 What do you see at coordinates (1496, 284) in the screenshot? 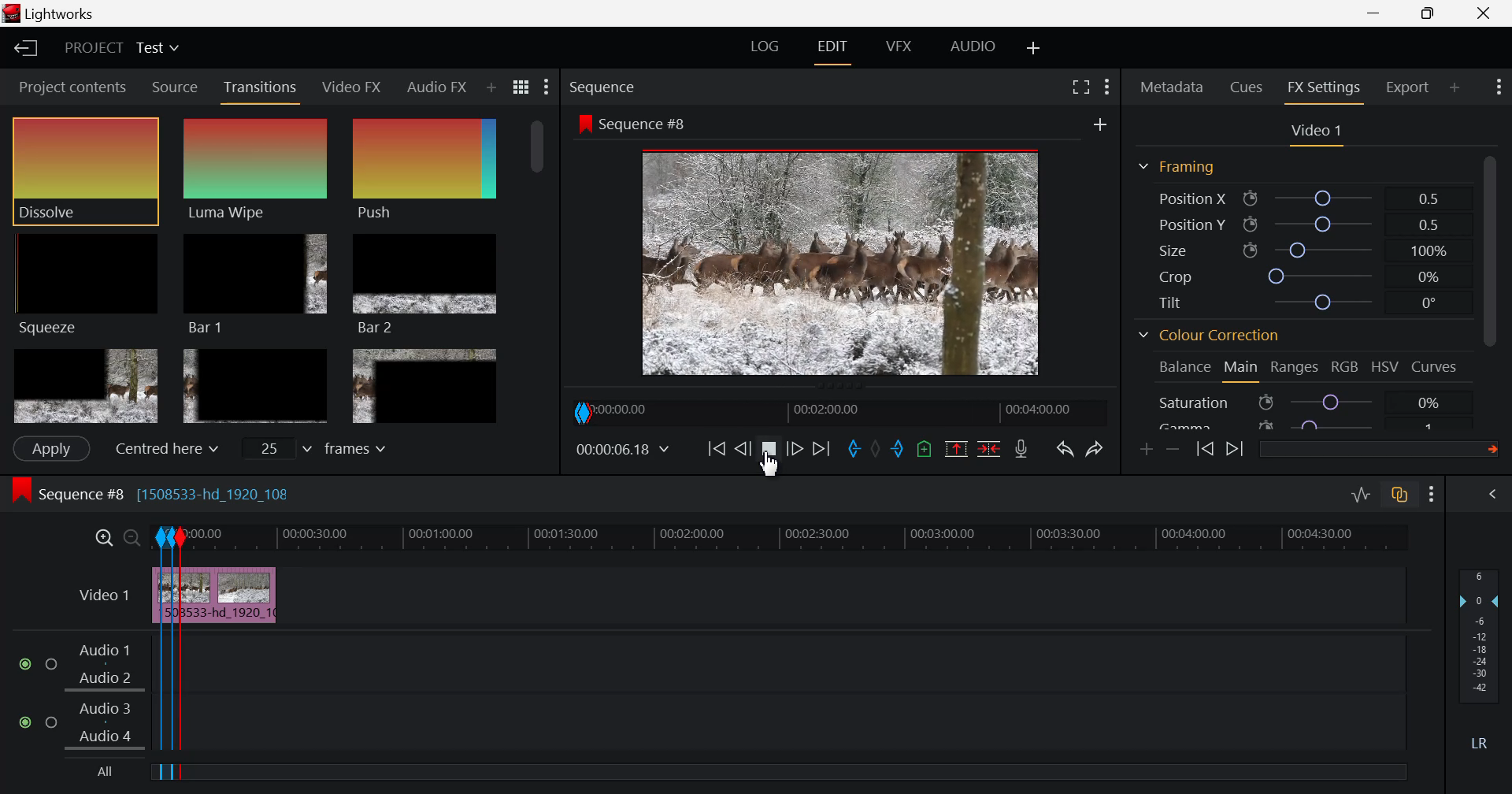
I see `Scroll Bar` at bounding box center [1496, 284].